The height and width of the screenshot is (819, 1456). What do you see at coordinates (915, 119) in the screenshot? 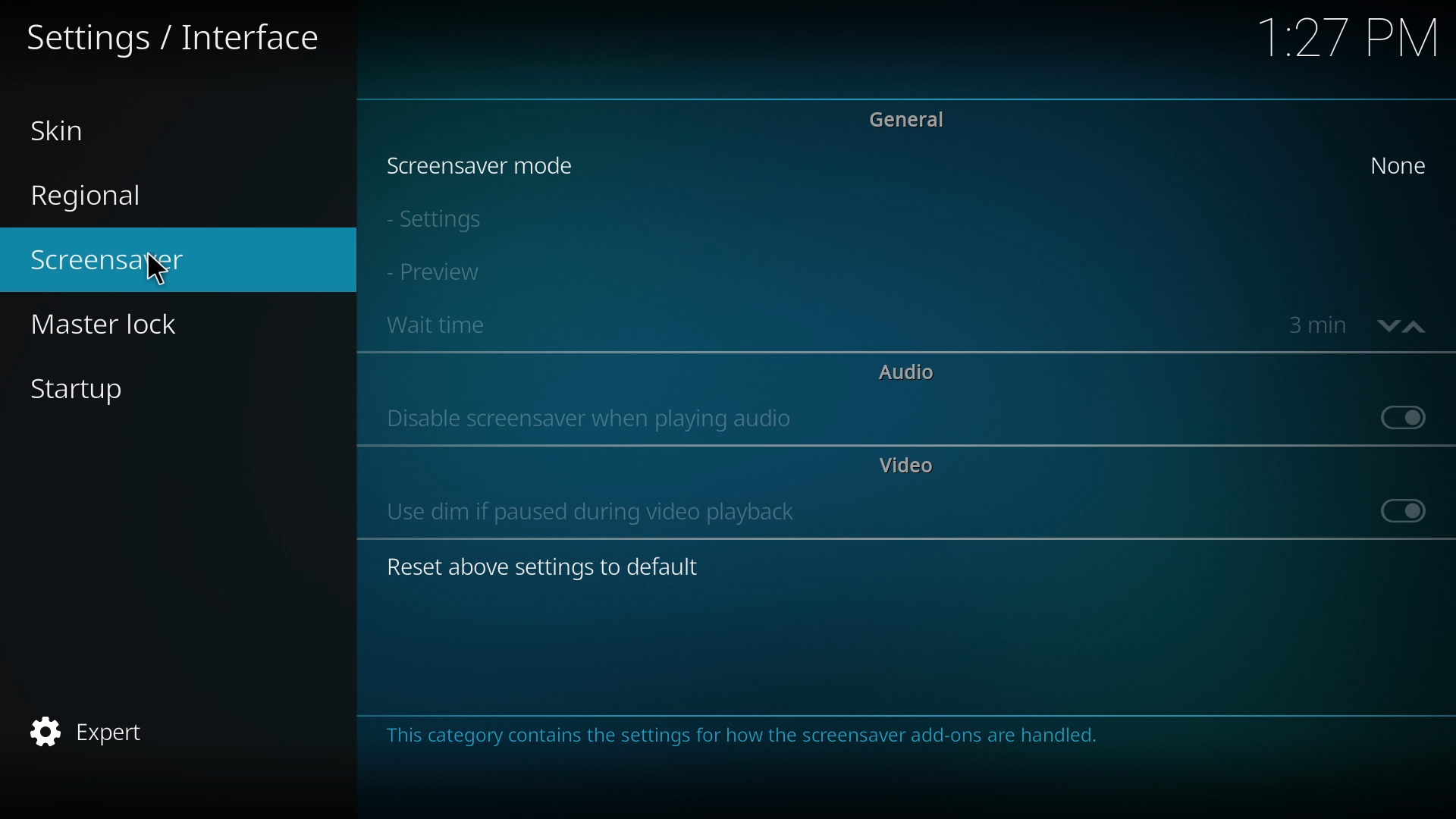
I see `general` at bounding box center [915, 119].